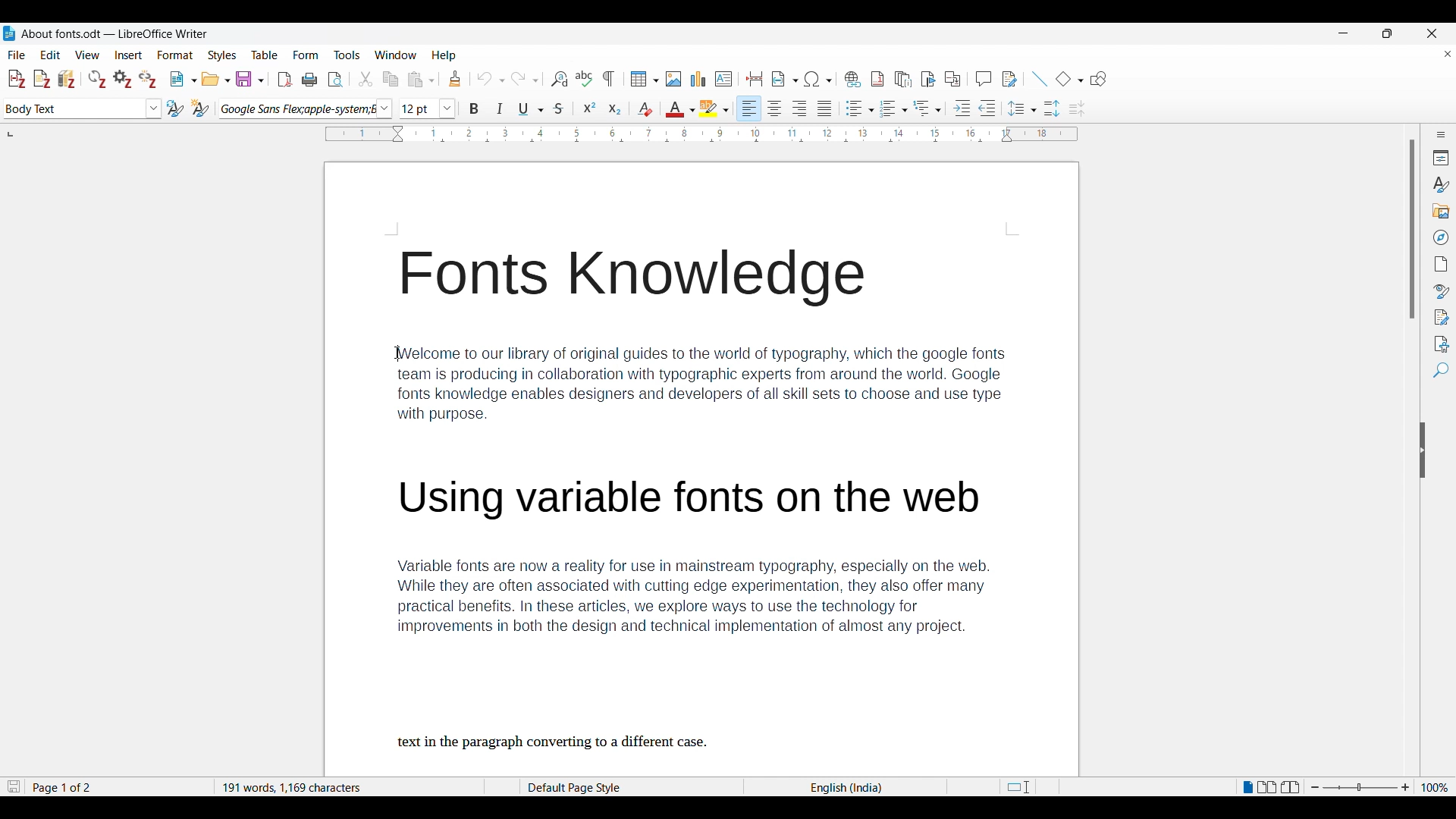  What do you see at coordinates (444, 56) in the screenshot?
I see `Help menu` at bounding box center [444, 56].